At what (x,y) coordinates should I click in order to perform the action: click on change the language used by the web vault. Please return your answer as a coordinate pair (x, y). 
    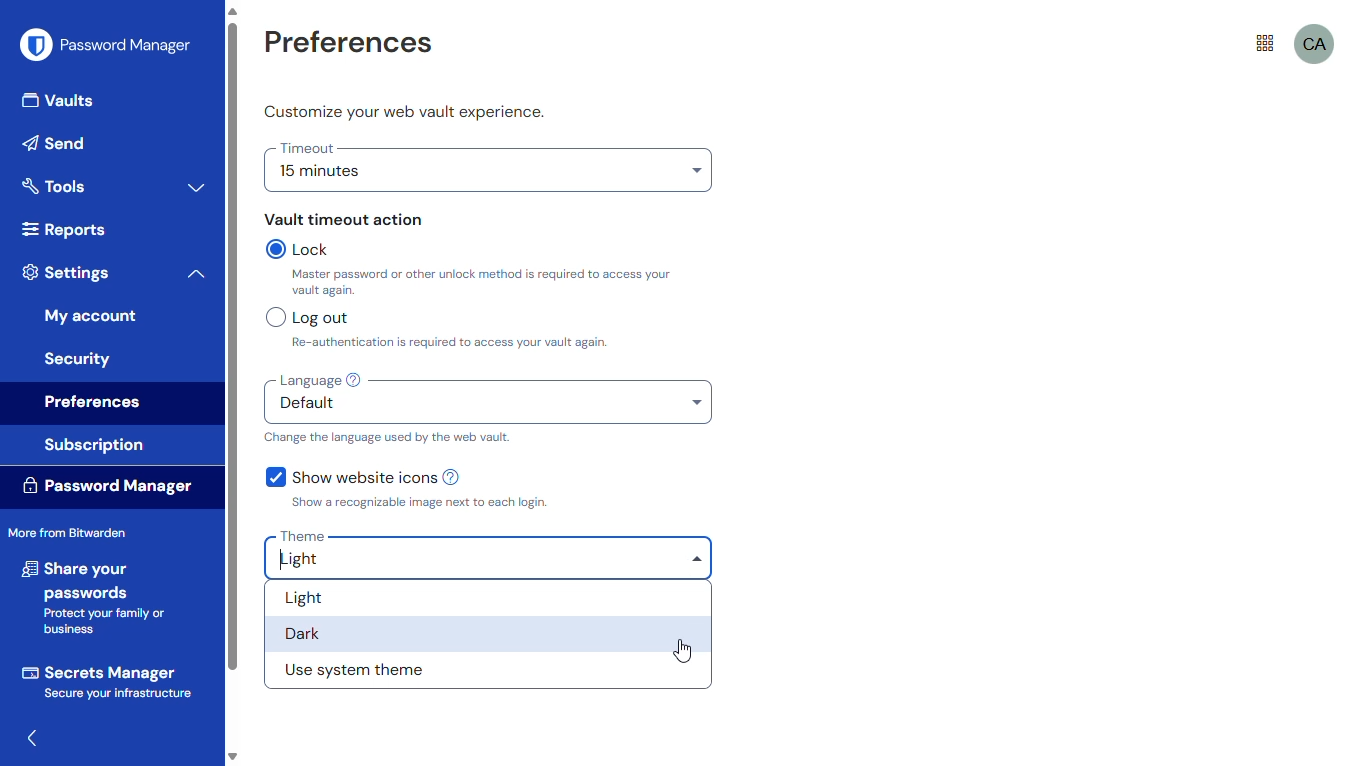
    Looking at the image, I should click on (387, 437).